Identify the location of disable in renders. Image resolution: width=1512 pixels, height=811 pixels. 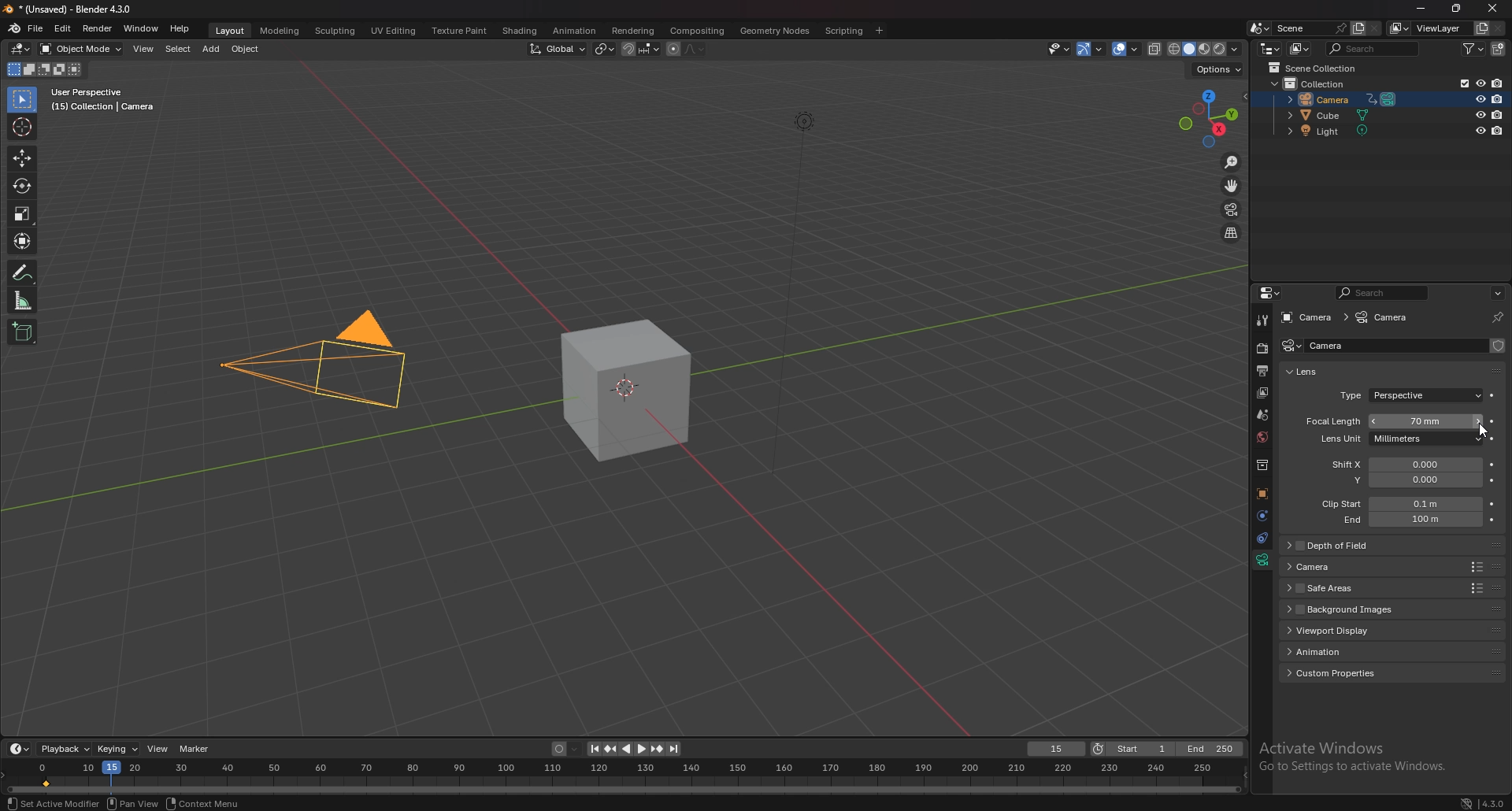
(1498, 114).